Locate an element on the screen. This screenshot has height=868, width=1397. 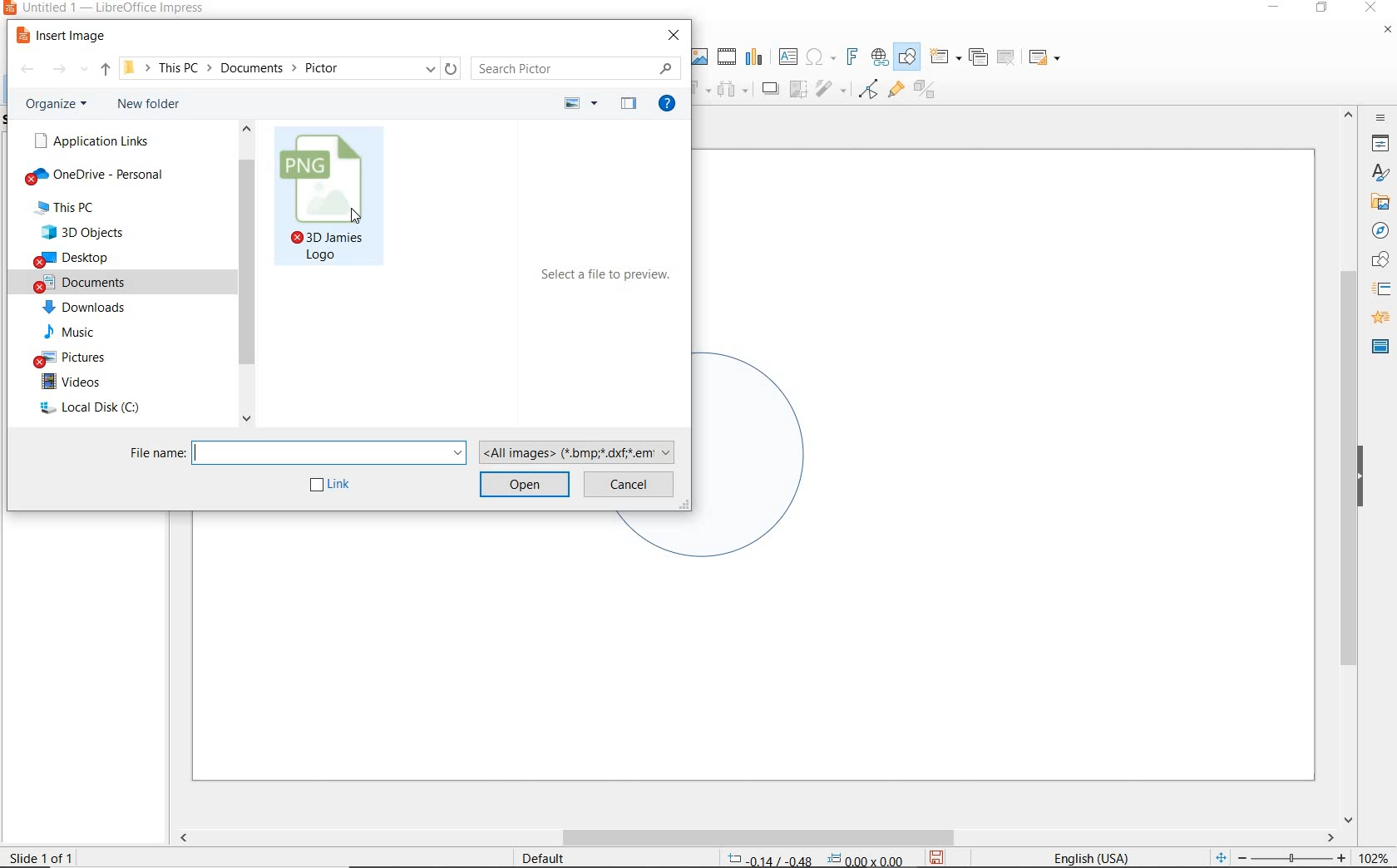
insert video is located at coordinates (725, 56).